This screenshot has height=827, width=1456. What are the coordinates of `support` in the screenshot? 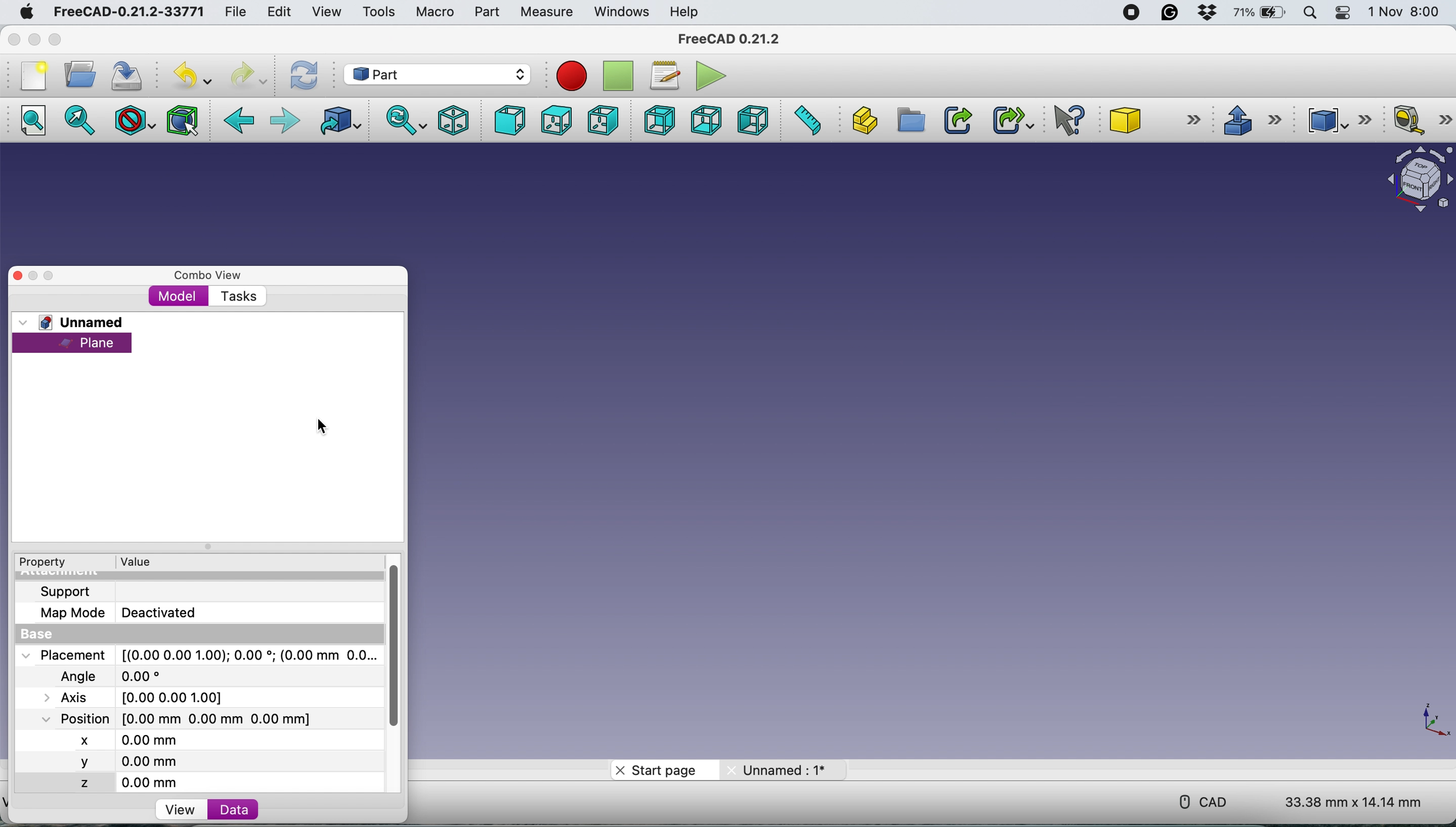 It's located at (76, 593).